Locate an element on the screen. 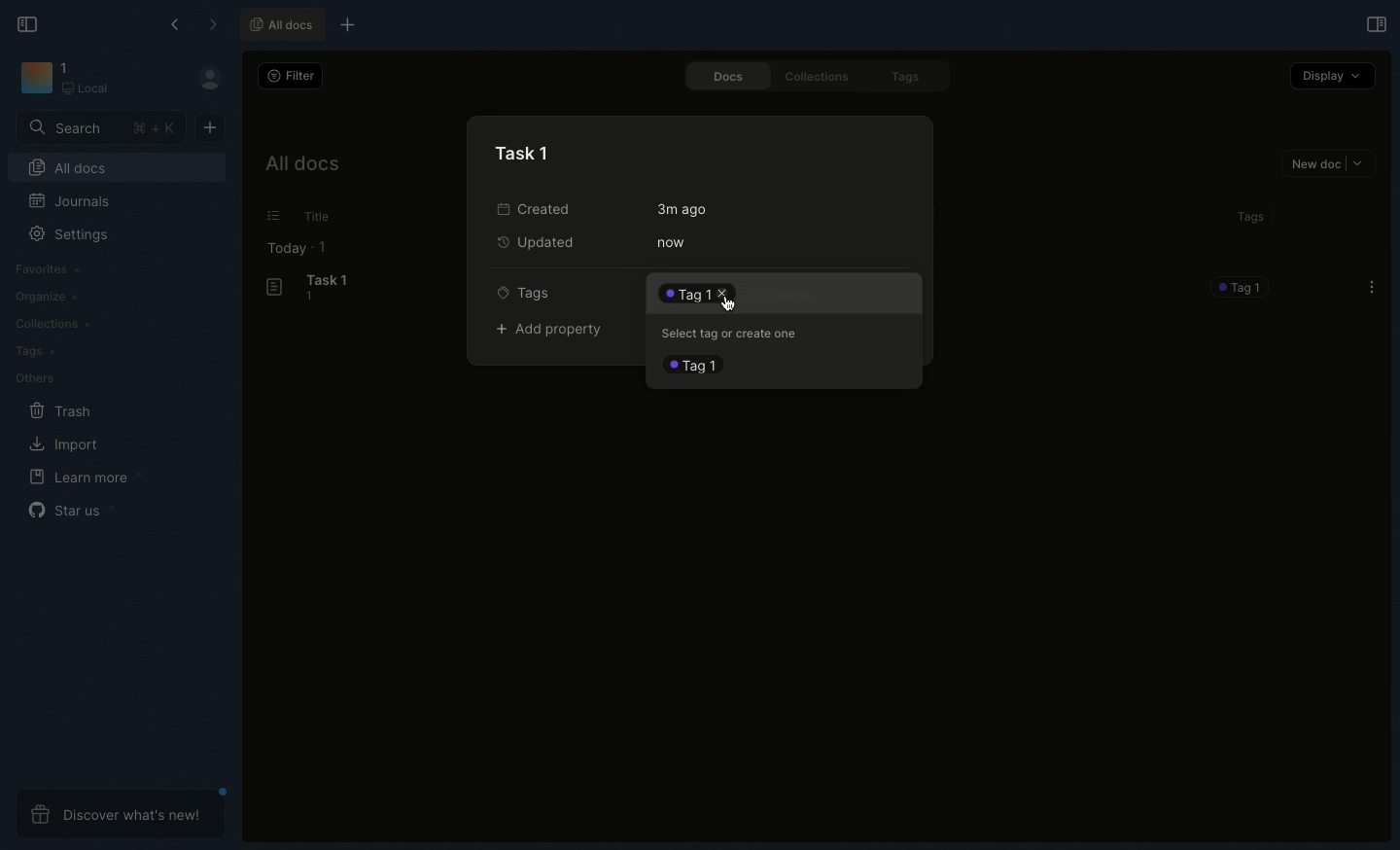 The width and height of the screenshot is (1400, 850). Discover what's new! is located at coordinates (122, 814).